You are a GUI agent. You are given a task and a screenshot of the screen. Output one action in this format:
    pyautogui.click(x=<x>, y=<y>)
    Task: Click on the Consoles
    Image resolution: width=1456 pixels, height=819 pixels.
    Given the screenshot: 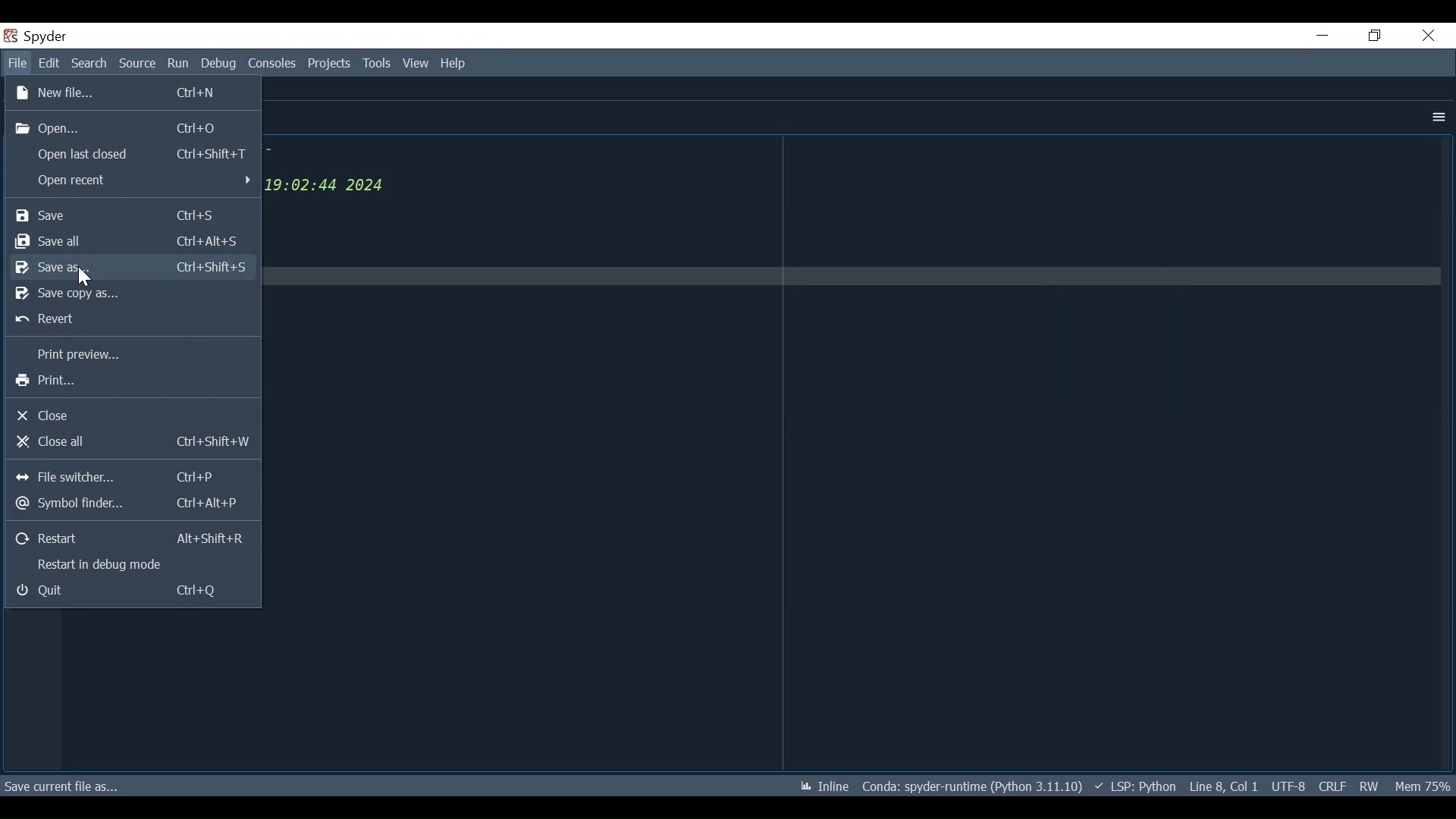 What is the action you would take?
    pyautogui.click(x=272, y=63)
    